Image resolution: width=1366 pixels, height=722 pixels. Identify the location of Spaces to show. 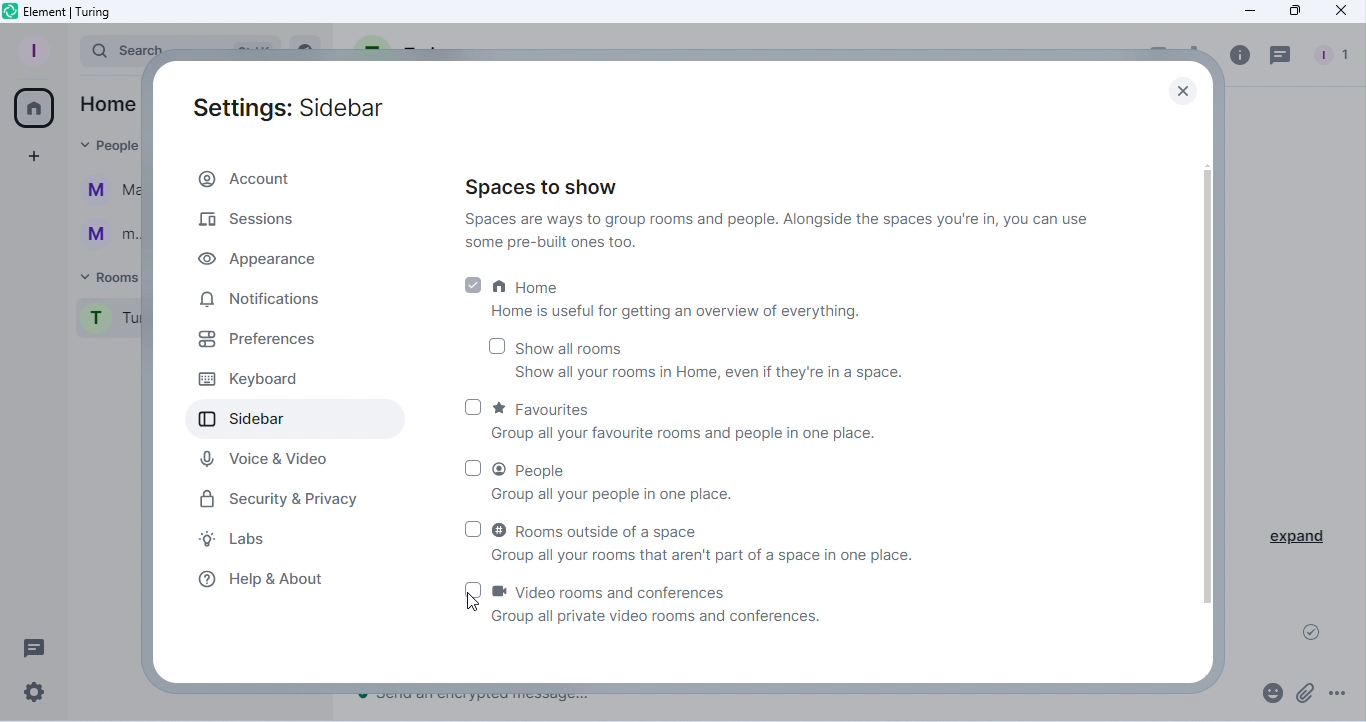
(781, 214).